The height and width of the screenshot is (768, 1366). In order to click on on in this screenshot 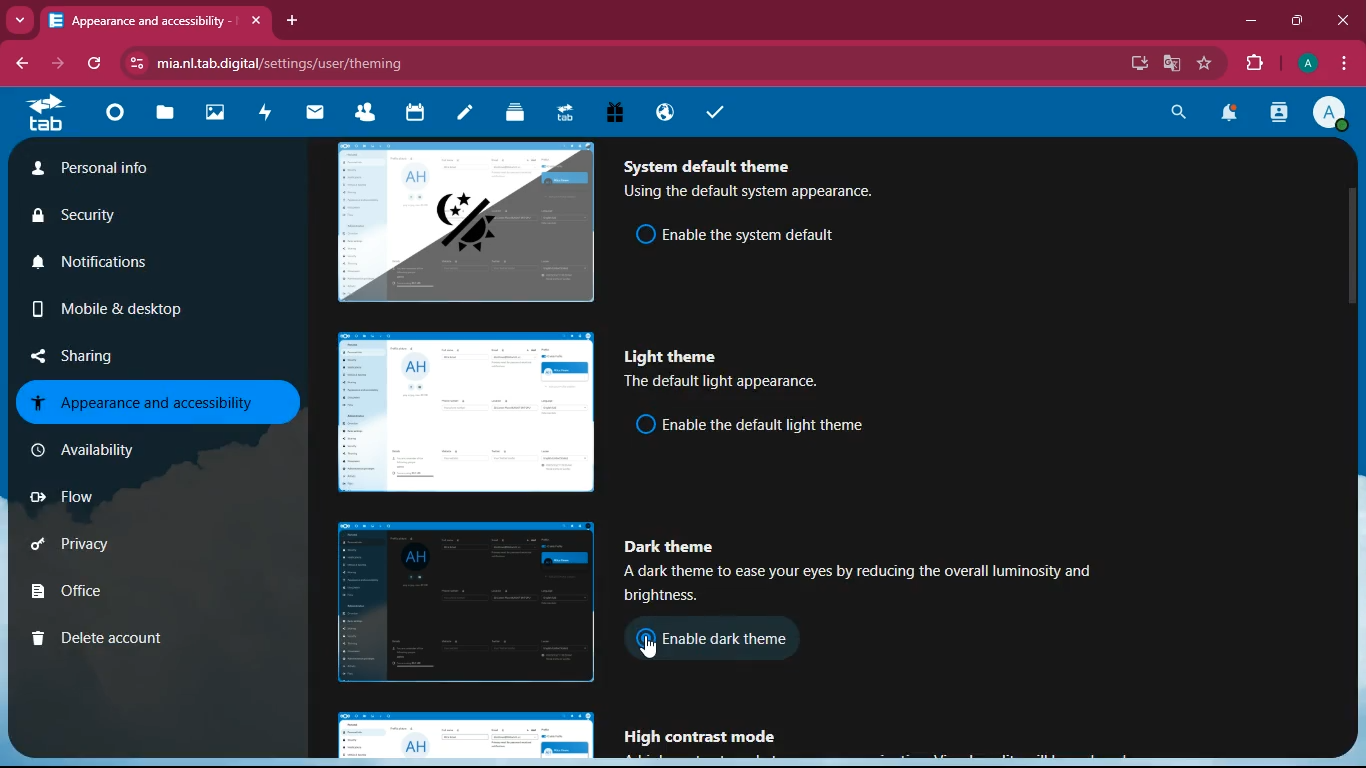, I will do `click(647, 233)`.